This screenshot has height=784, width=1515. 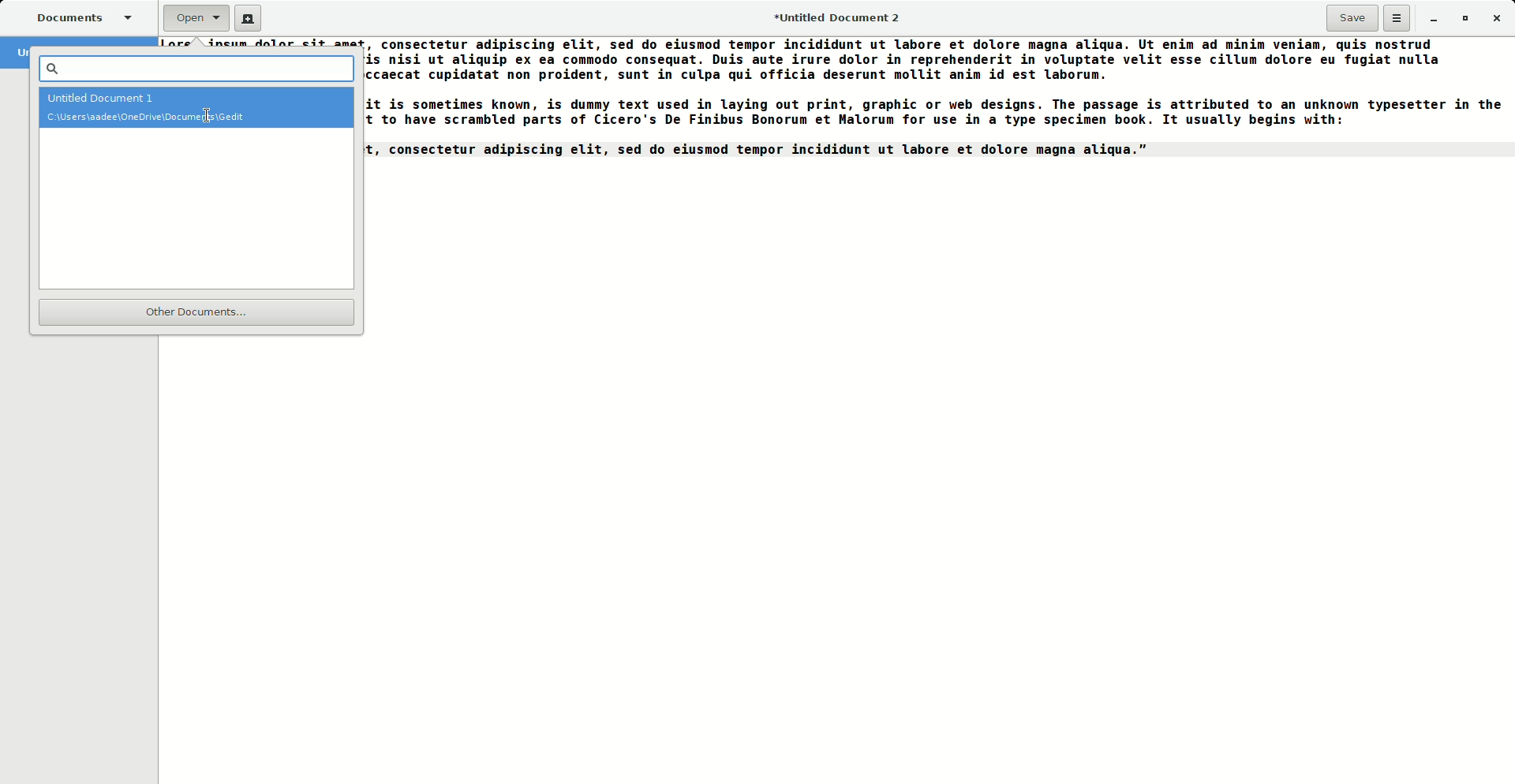 I want to click on Minimize, so click(x=1433, y=19).